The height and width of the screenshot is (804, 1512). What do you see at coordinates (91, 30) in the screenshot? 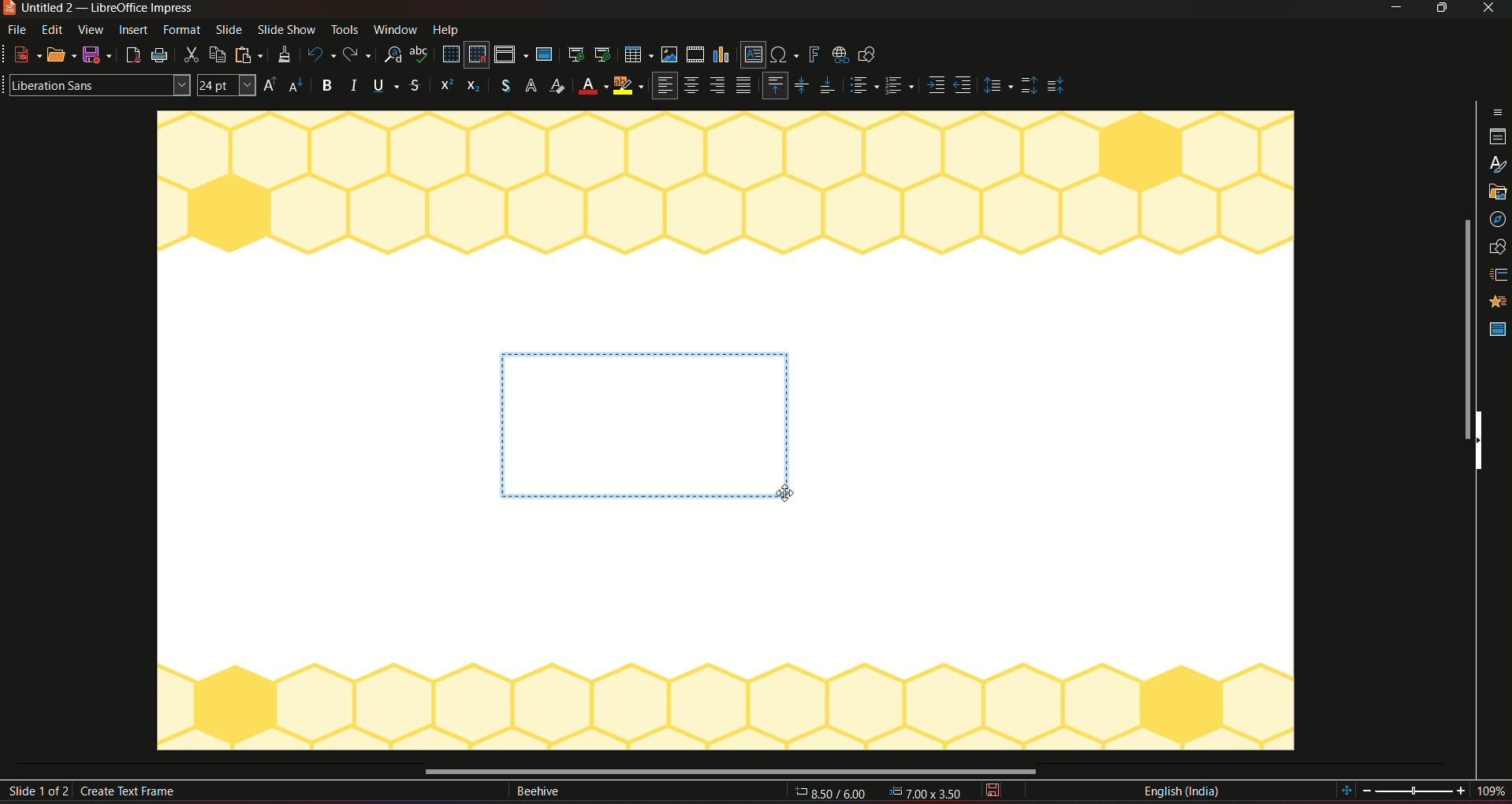
I see `view` at bounding box center [91, 30].